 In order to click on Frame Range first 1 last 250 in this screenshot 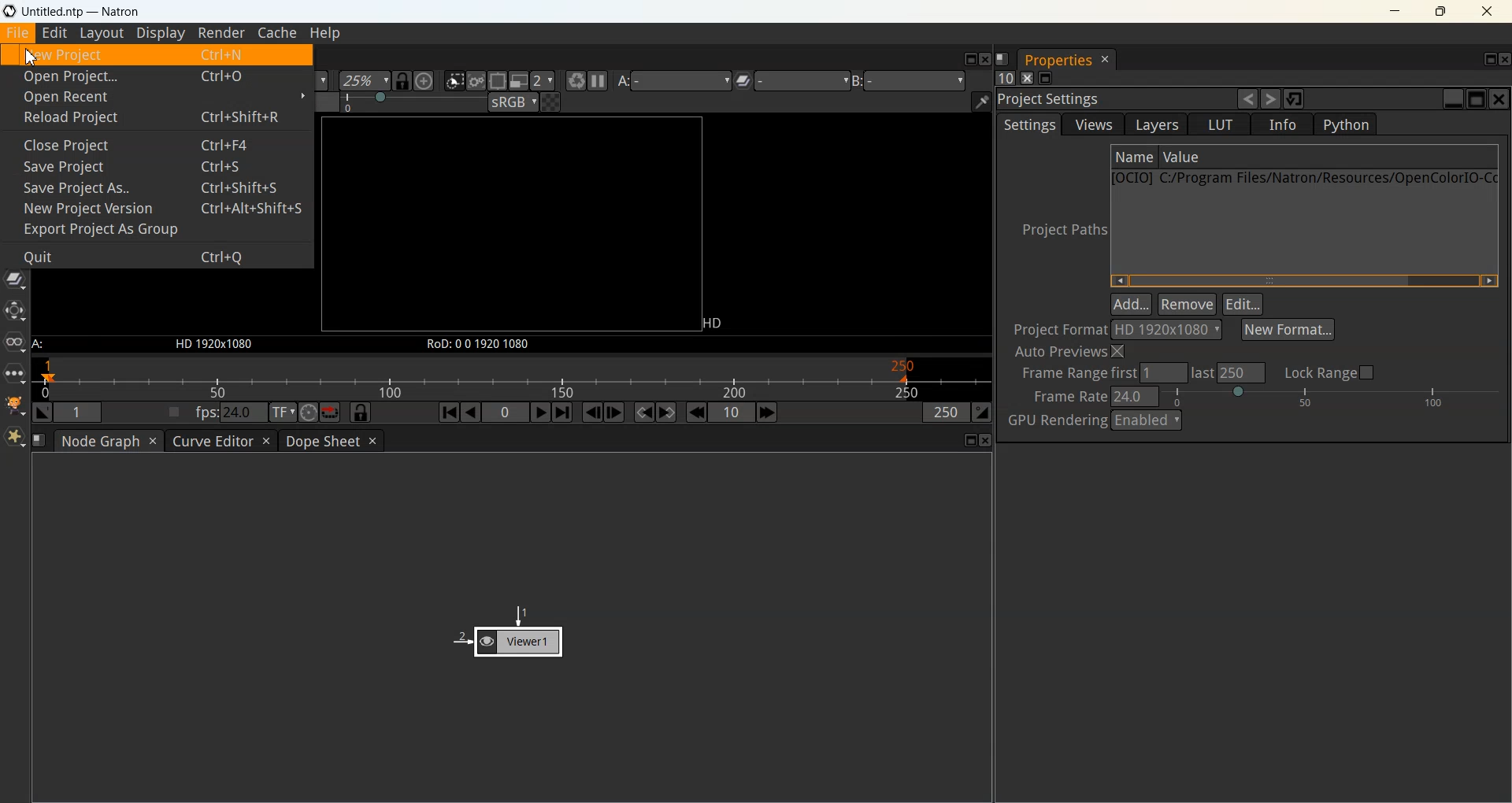, I will do `click(1135, 373)`.